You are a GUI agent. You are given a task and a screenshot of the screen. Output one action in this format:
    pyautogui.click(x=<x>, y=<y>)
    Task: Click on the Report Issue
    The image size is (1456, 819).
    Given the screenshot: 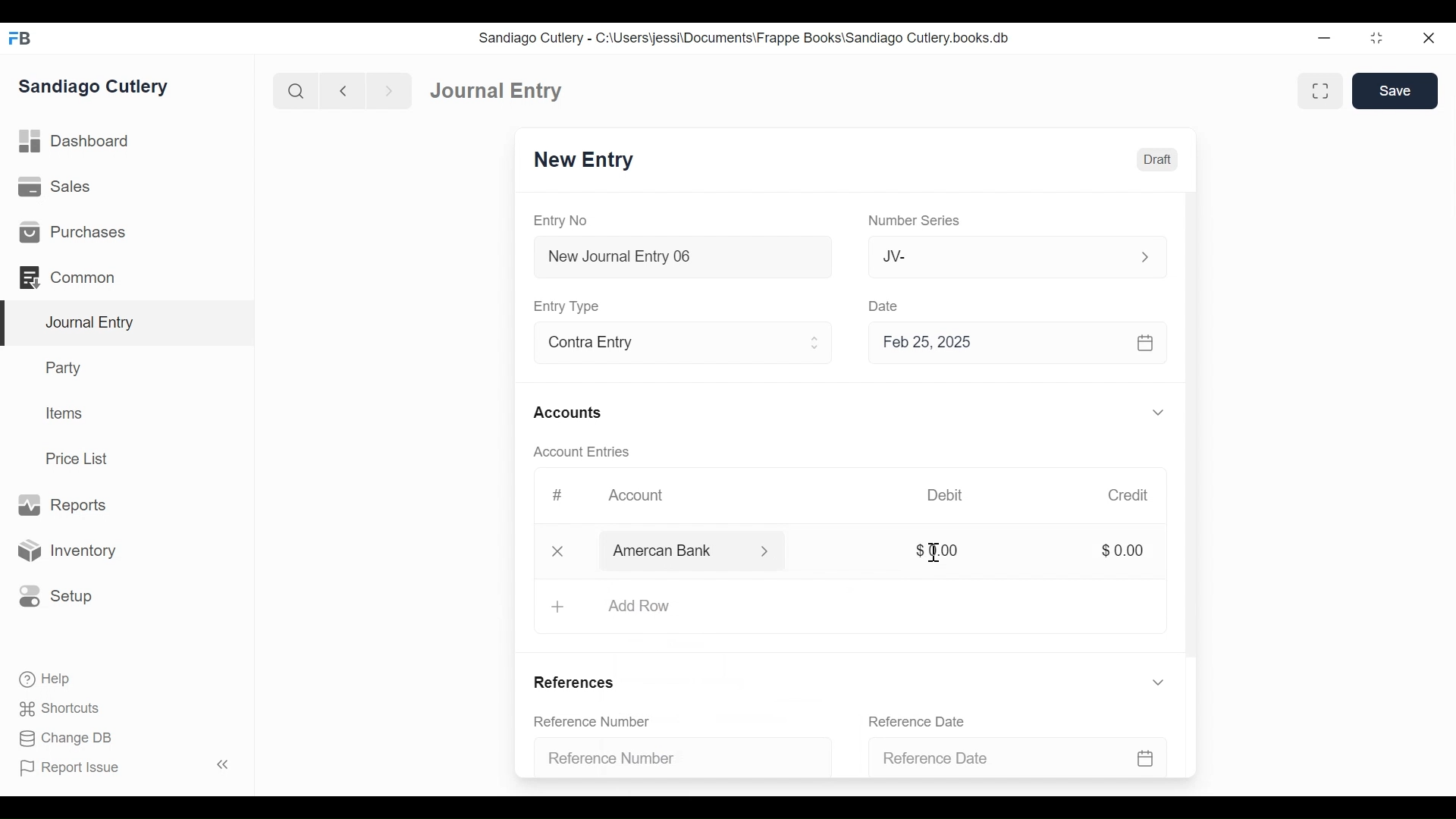 What is the action you would take?
    pyautogui.click(x=127, y=767)
    